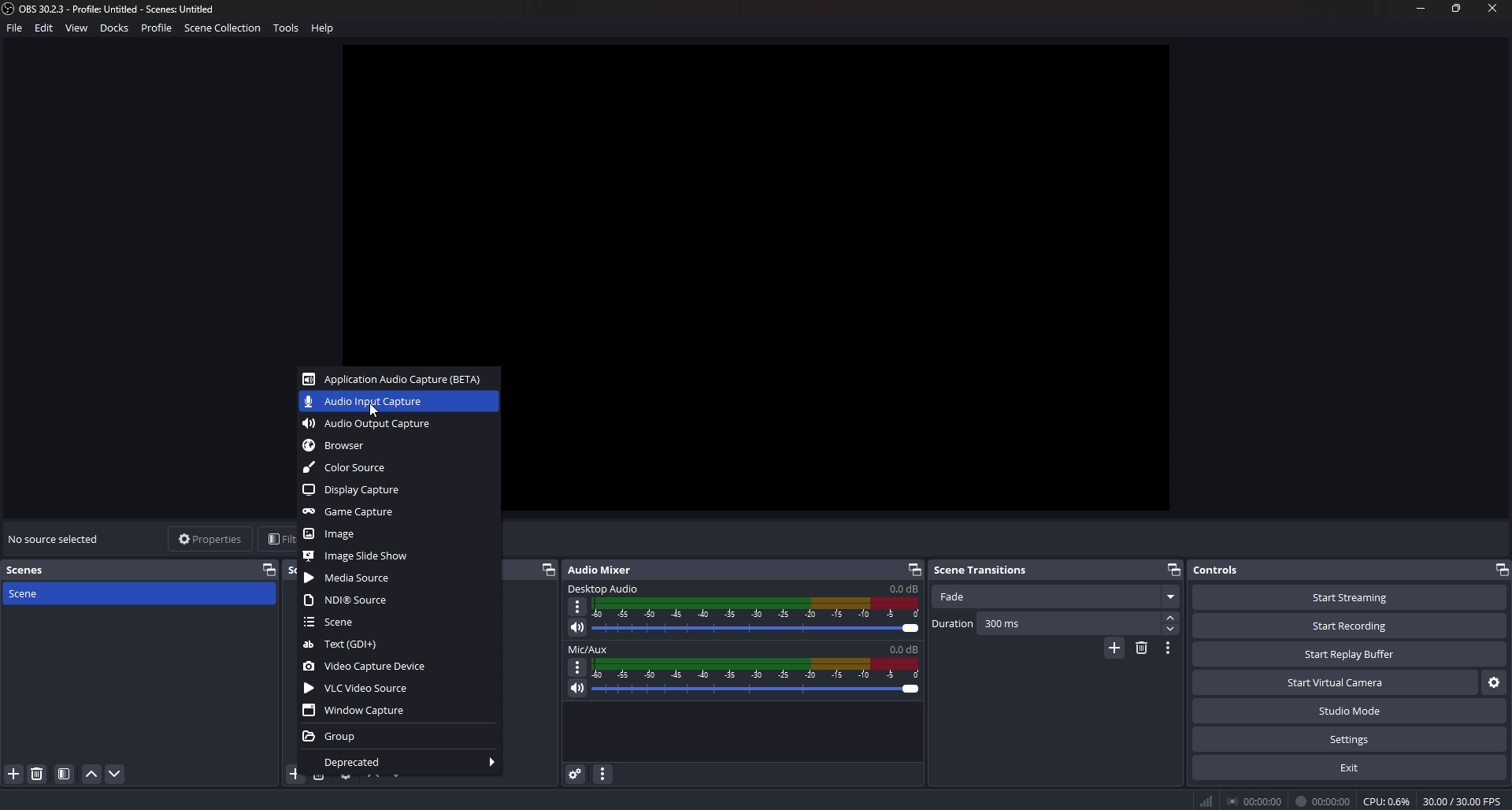 The width and height of the screenshot is (1512, 810). I want to click on image slideshow, so click(398, 556).